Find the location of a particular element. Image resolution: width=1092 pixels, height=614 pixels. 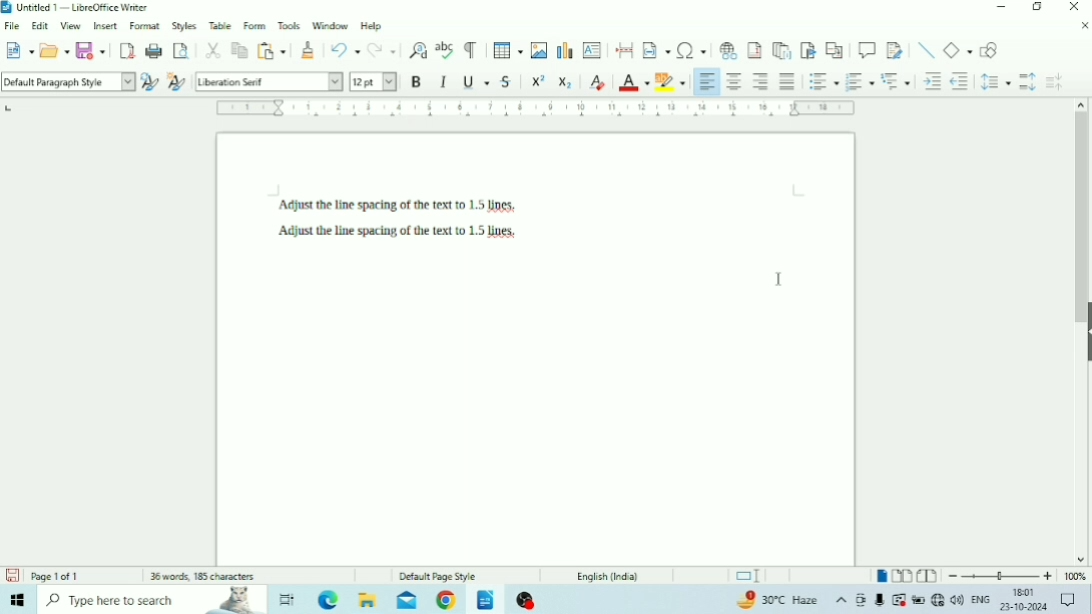

Insert PageBreak is located at coordinates (625, 49).